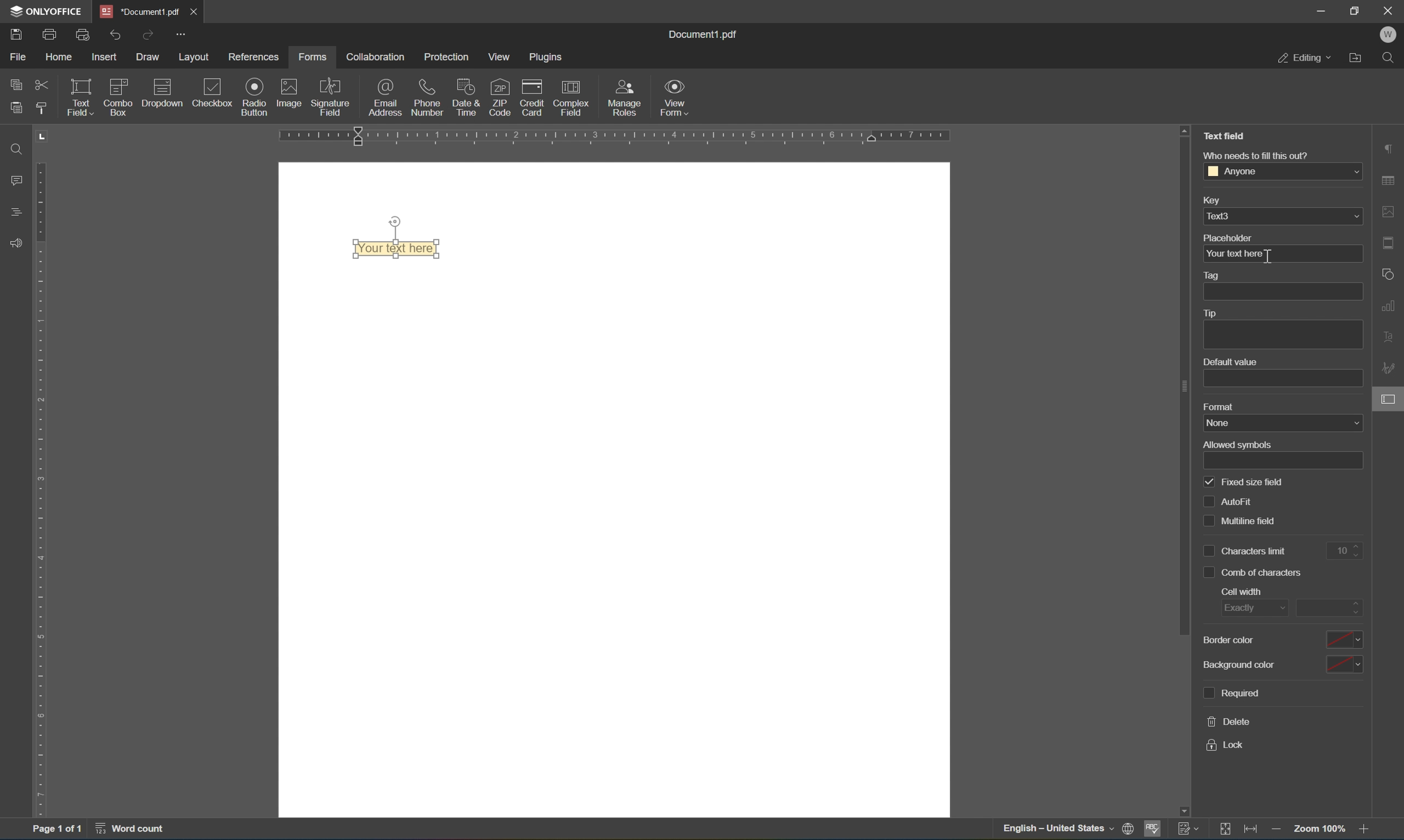 The image size is (1404, 840). Describe the element at coordinates (608, 138) in the screenshot. I see `ruler` at that location.